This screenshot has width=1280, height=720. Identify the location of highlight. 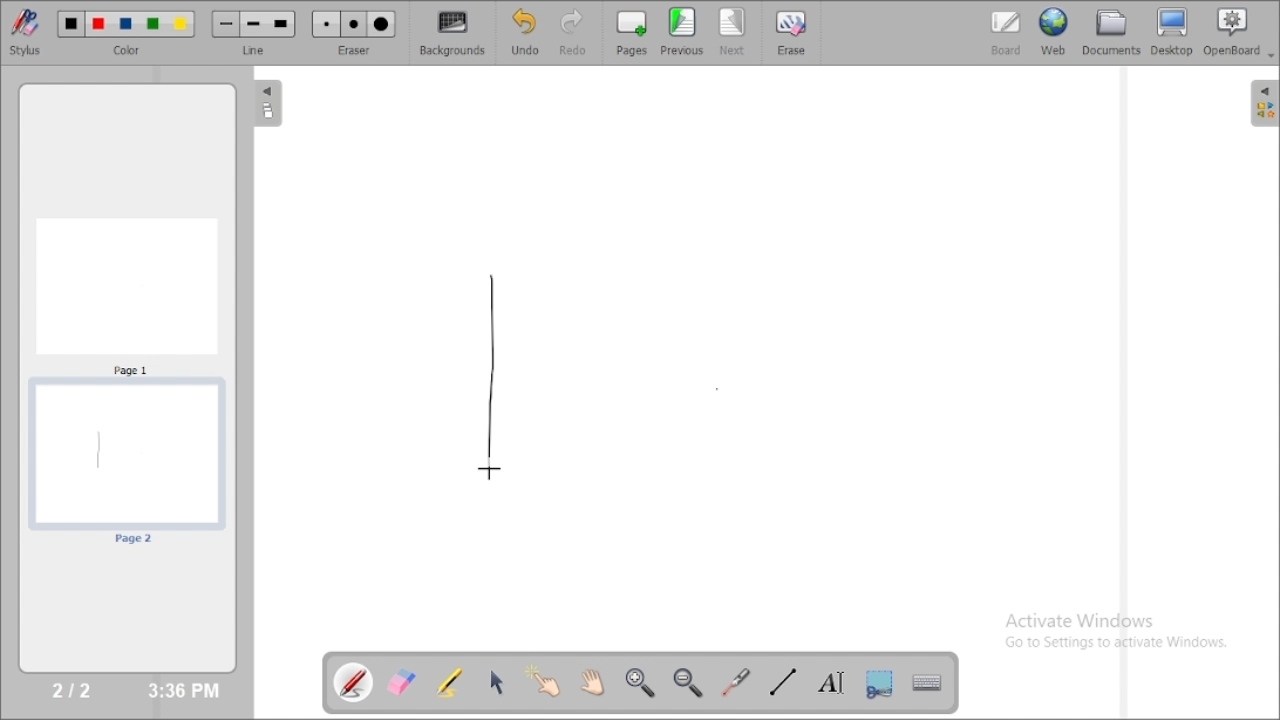
(449, 681).